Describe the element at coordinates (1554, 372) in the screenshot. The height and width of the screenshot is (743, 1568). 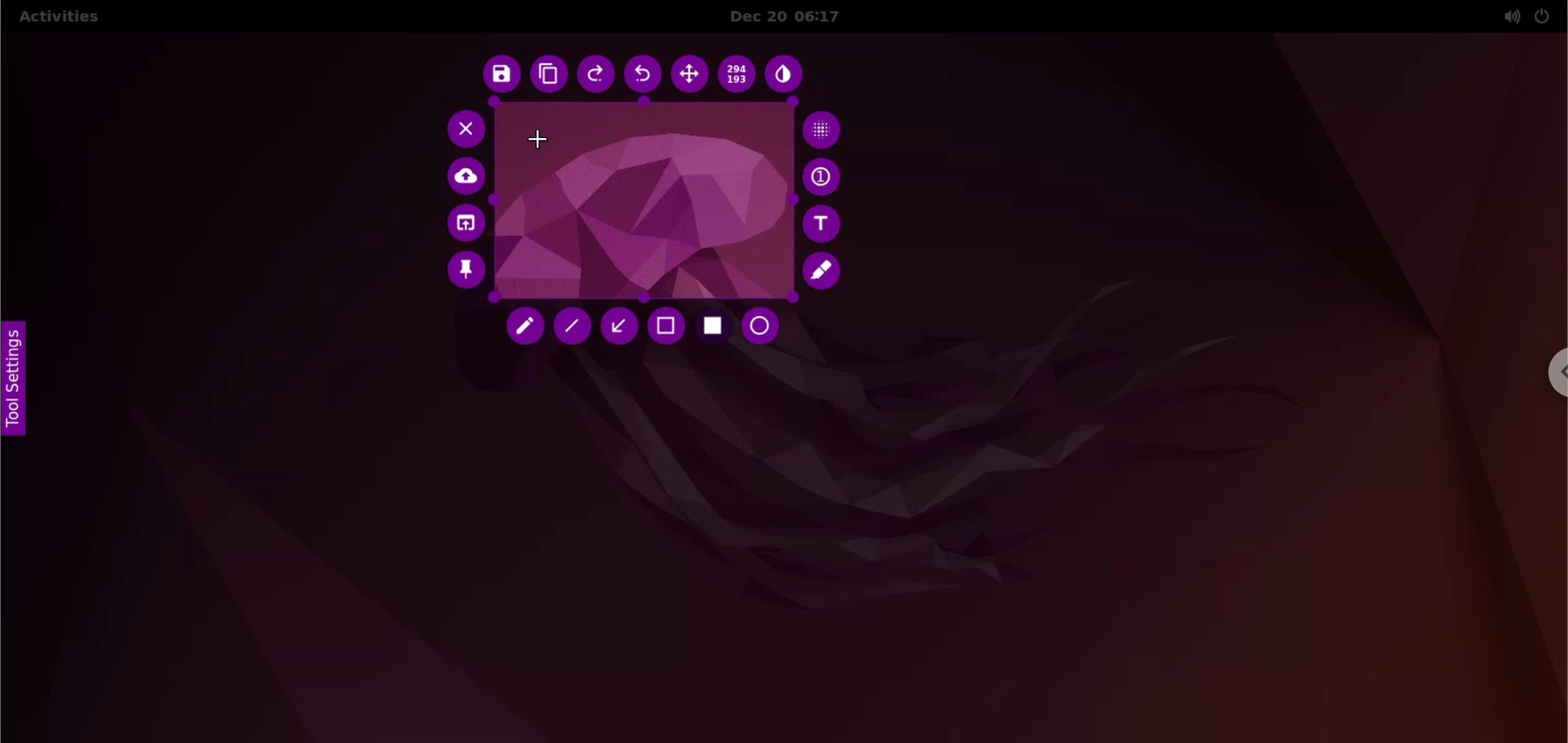
I see `chrome options` at that location.